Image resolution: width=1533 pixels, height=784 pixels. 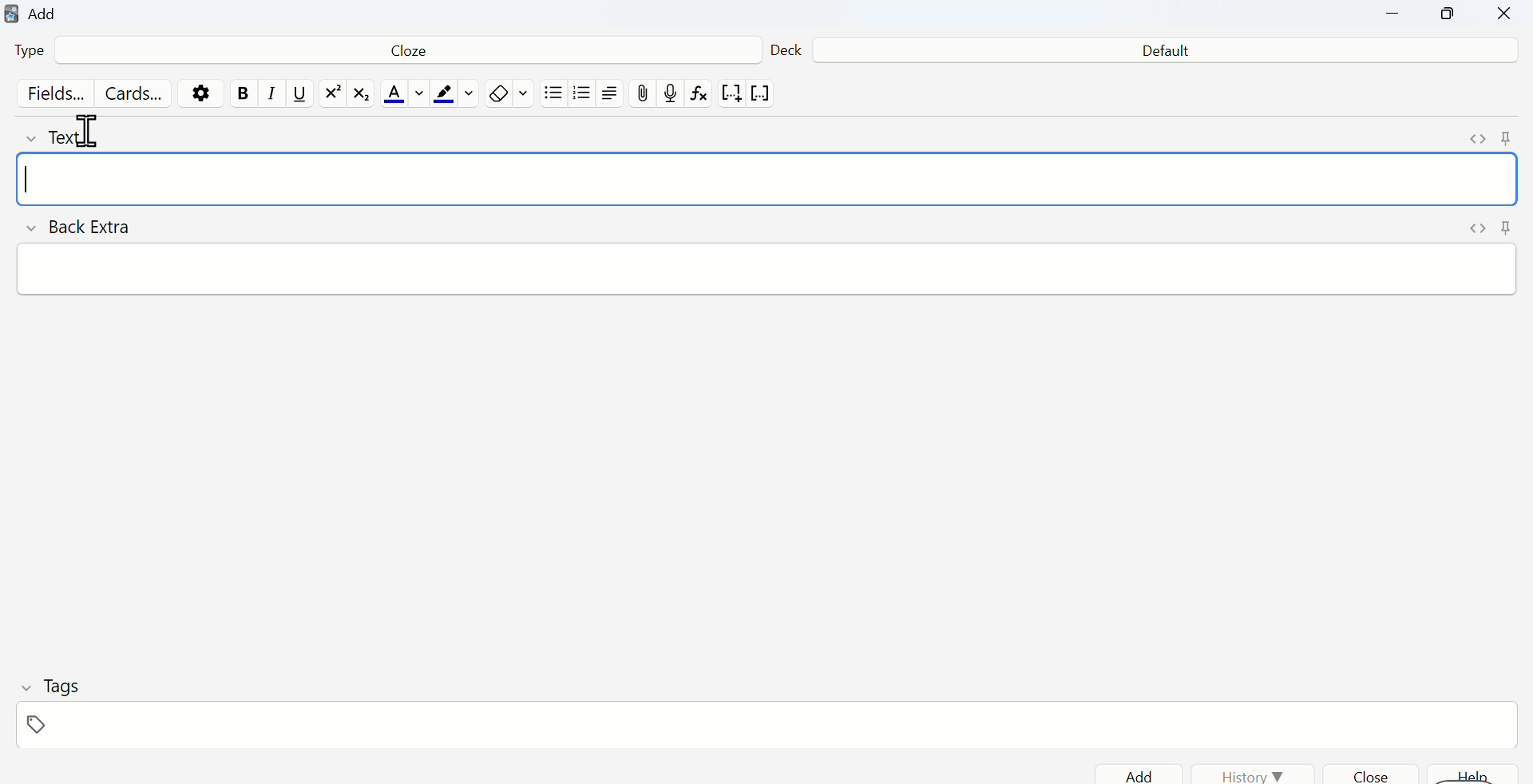 I want to click on Pin, so click(x=1507, y=230).